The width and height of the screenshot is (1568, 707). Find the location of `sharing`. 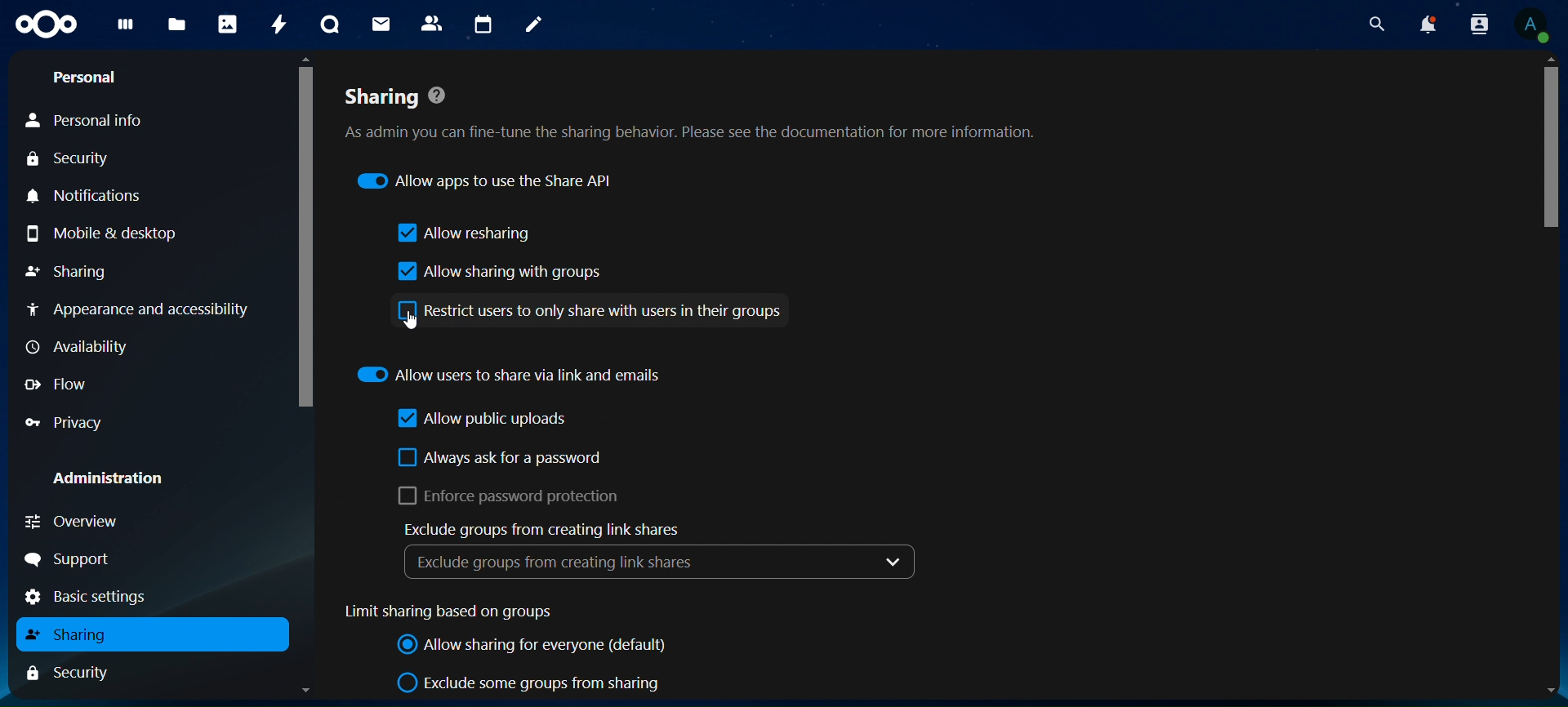

sharing is located at coordinates (74, 271).